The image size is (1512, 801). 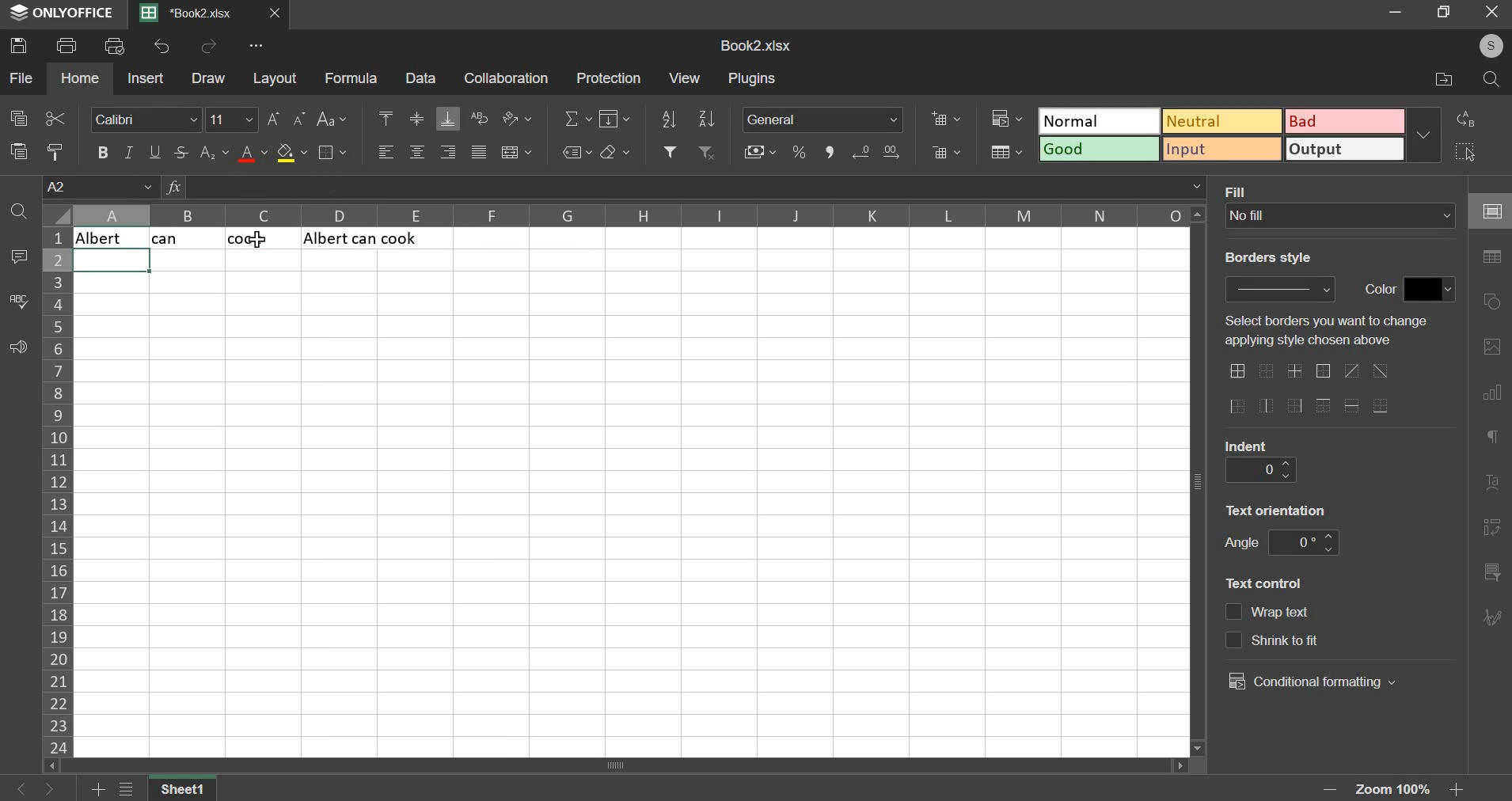 I want to click on text, so click(x=1241, y=545).